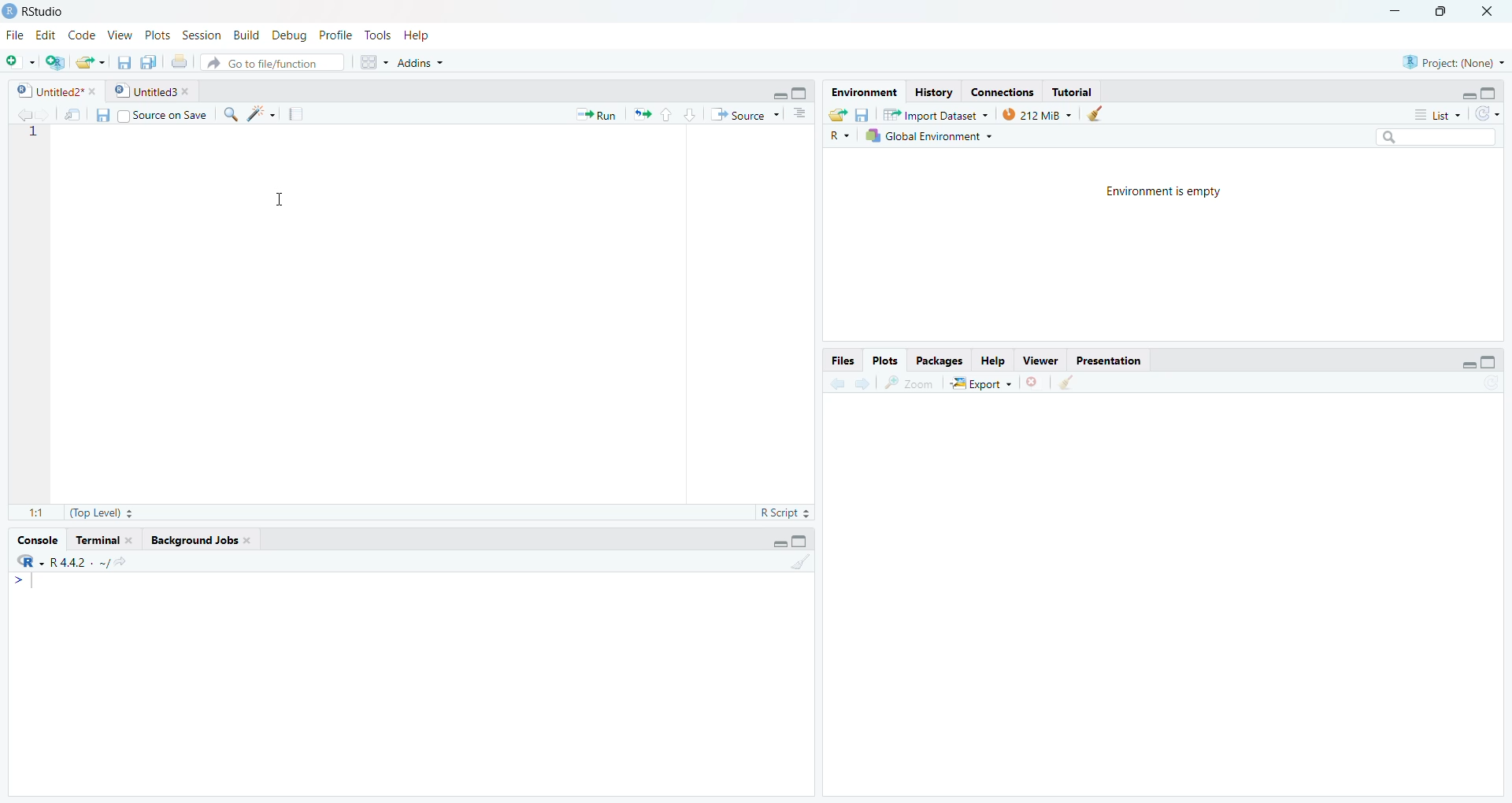 This screenshot has height=803, width=1512. I want to click on minimize, so click(1451, 361).